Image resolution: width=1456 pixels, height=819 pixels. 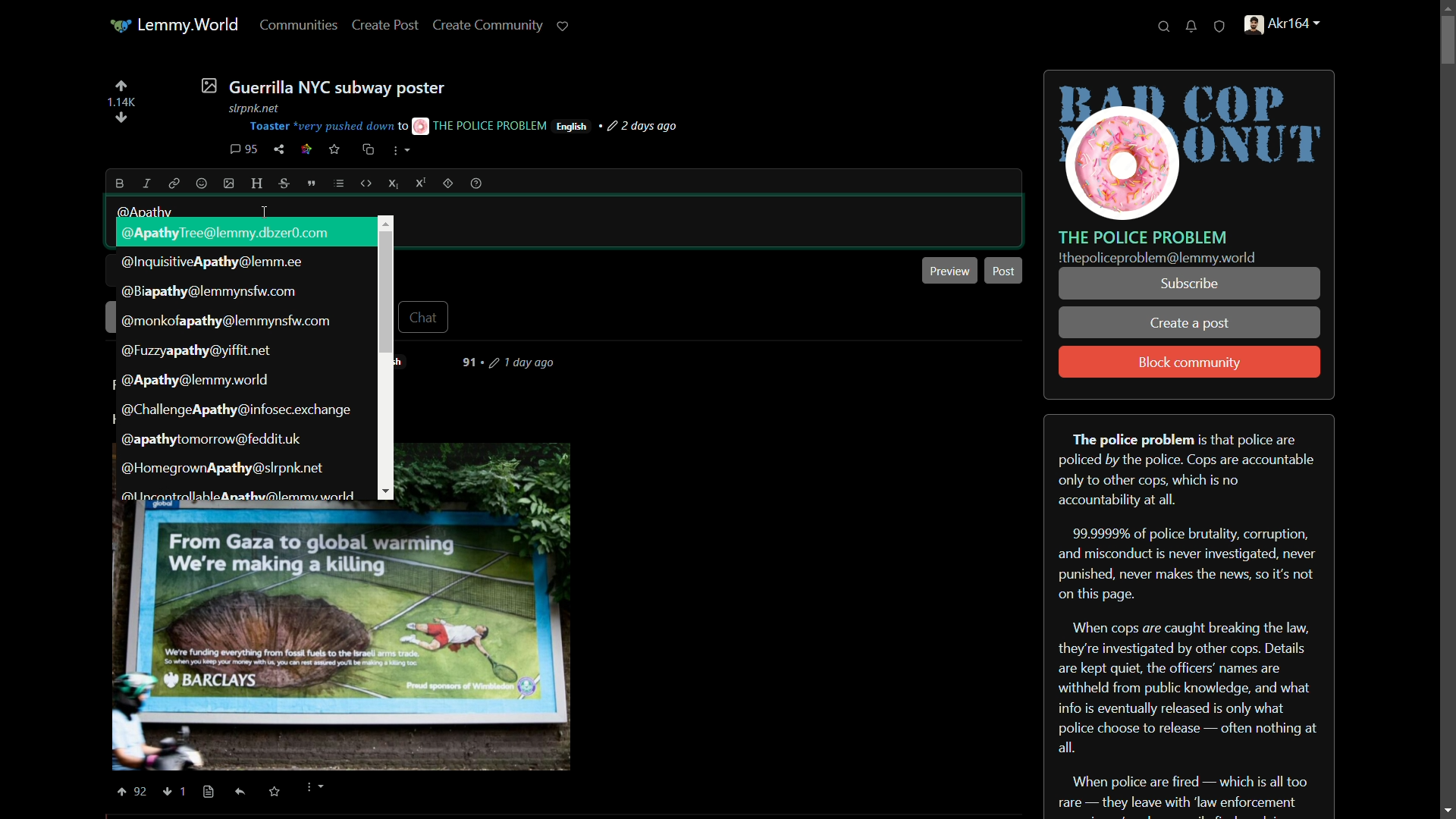 What do you see at coordinates (1191, 325) in the screenshot?
I see `create a post` at bounding box center [1191, 325].